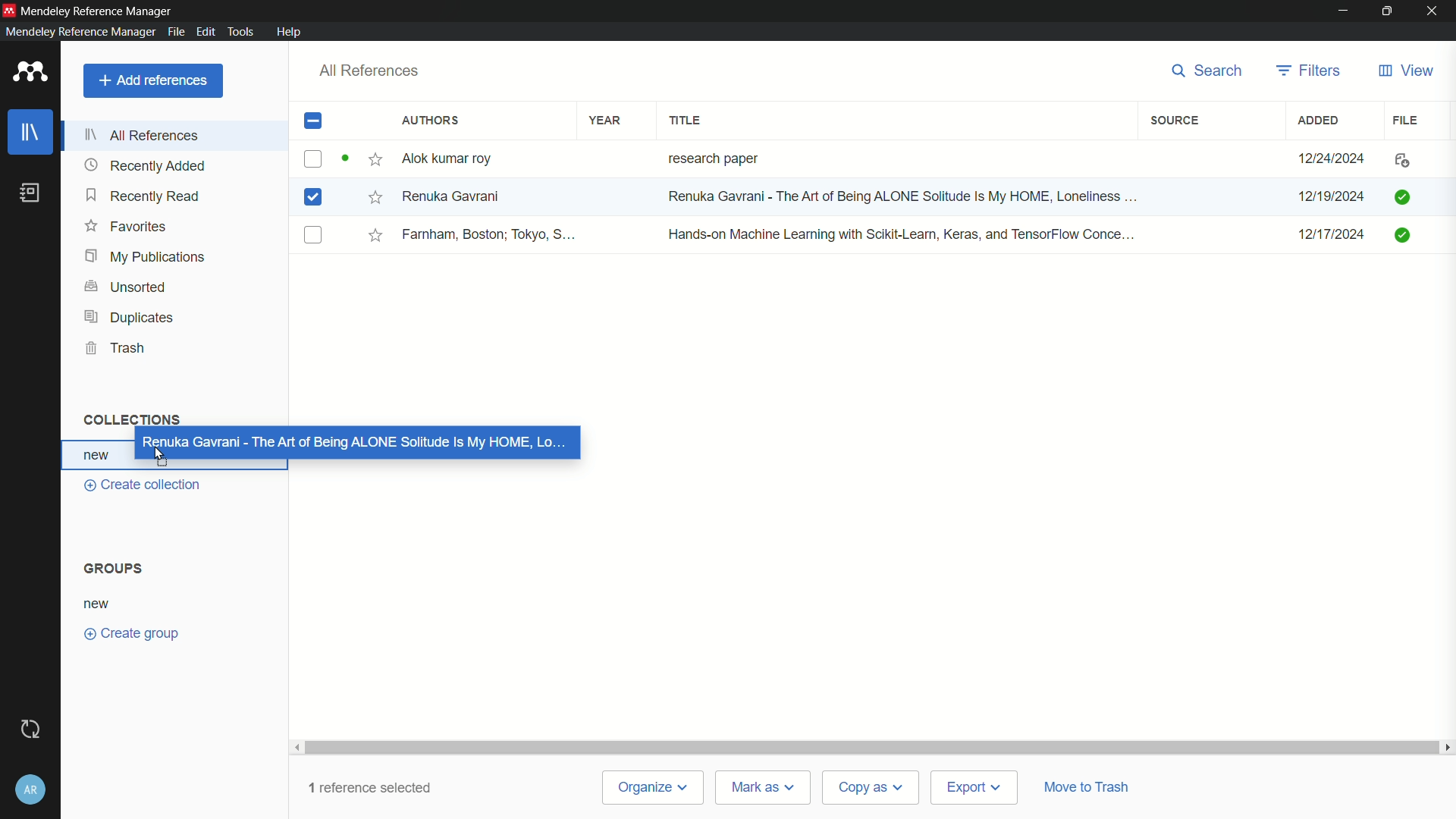 The height and width of the screenshot is (819, 1456). I want to click on new, so click(101, 604).